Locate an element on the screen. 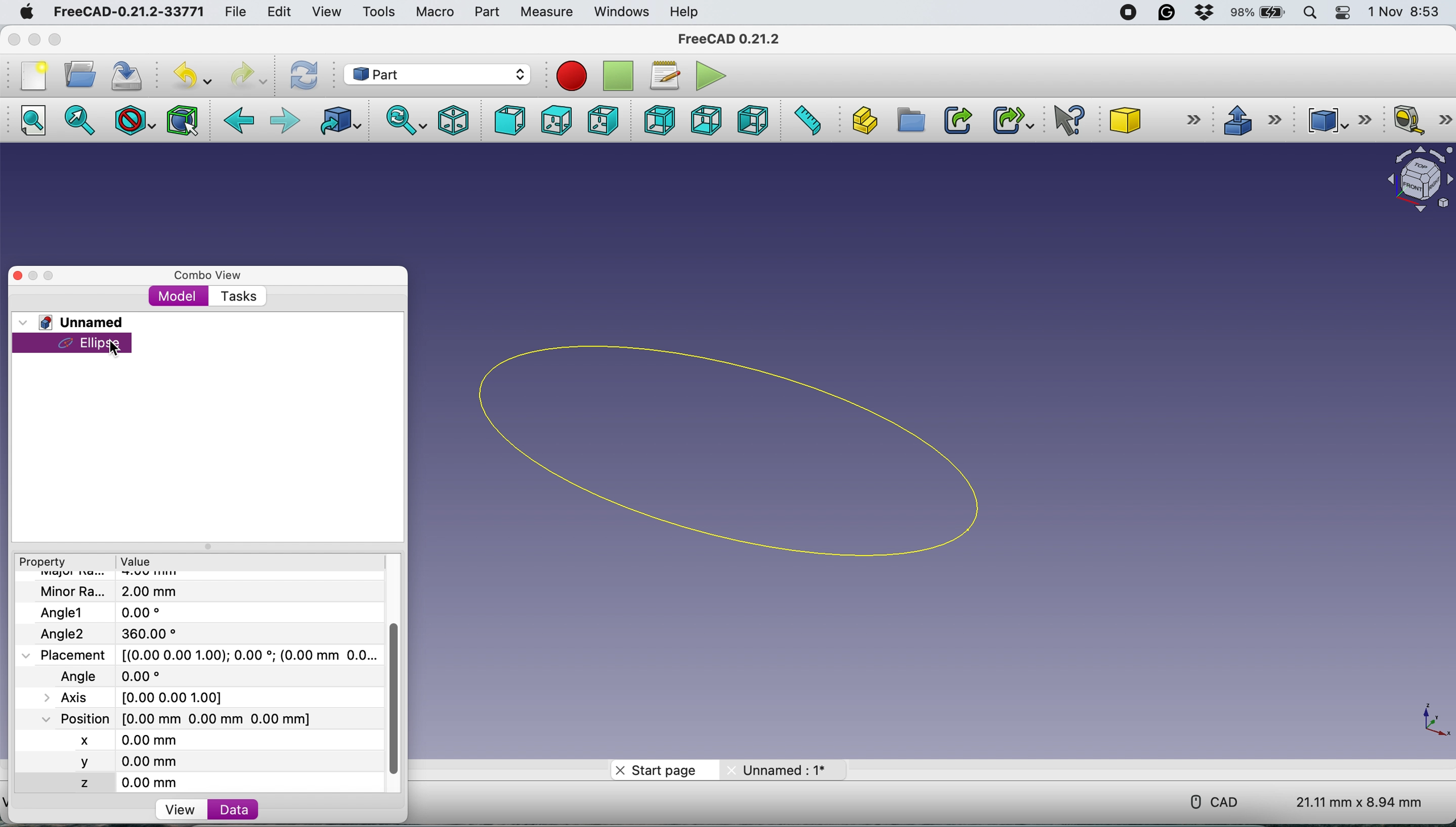 Image resolution: width=1456 pixels, height=827 pixels. measure is located at coordinates (546, 13).